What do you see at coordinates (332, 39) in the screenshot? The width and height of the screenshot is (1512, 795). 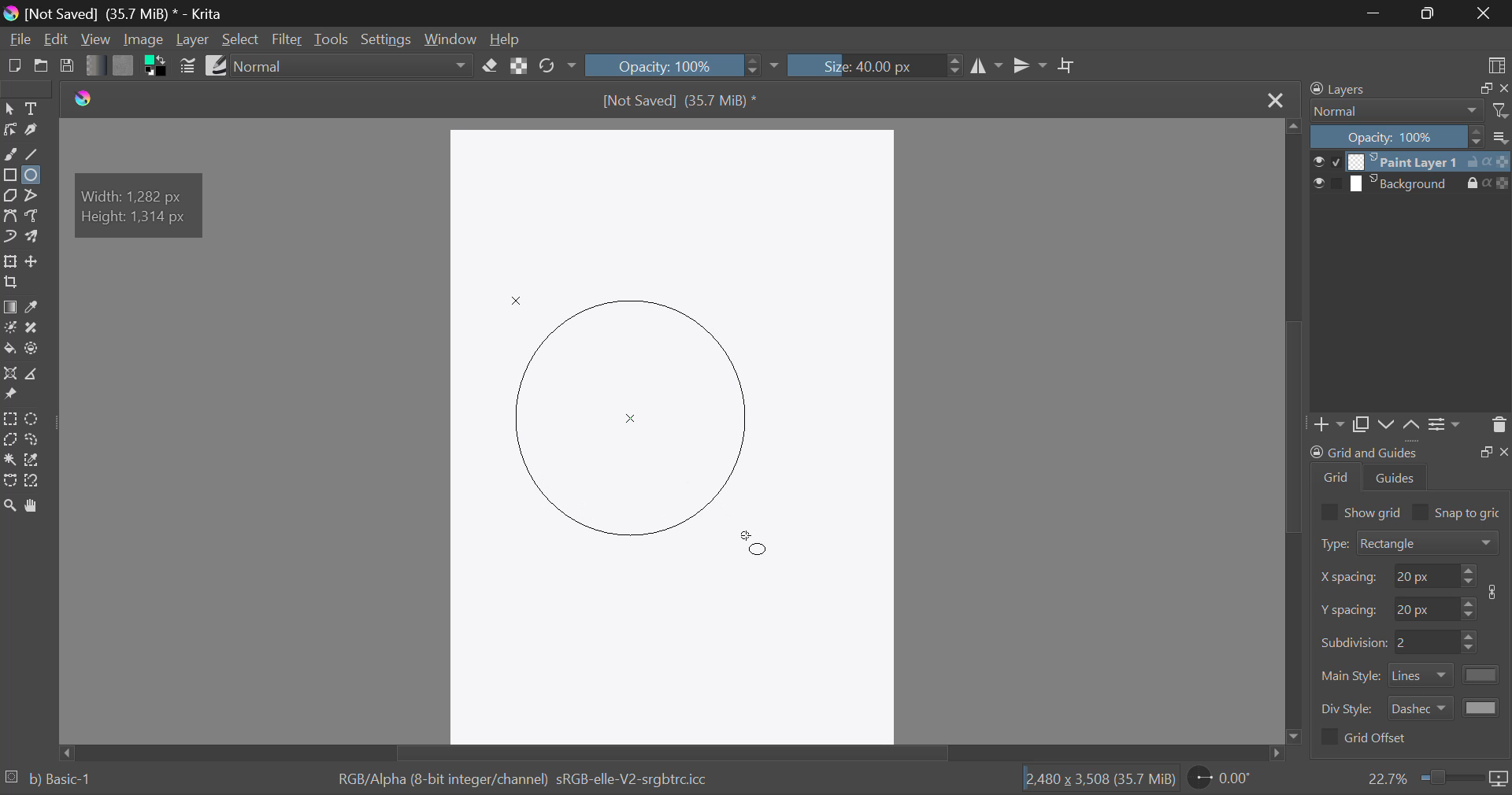 I see `Tools` at bounding box center [332, 39].